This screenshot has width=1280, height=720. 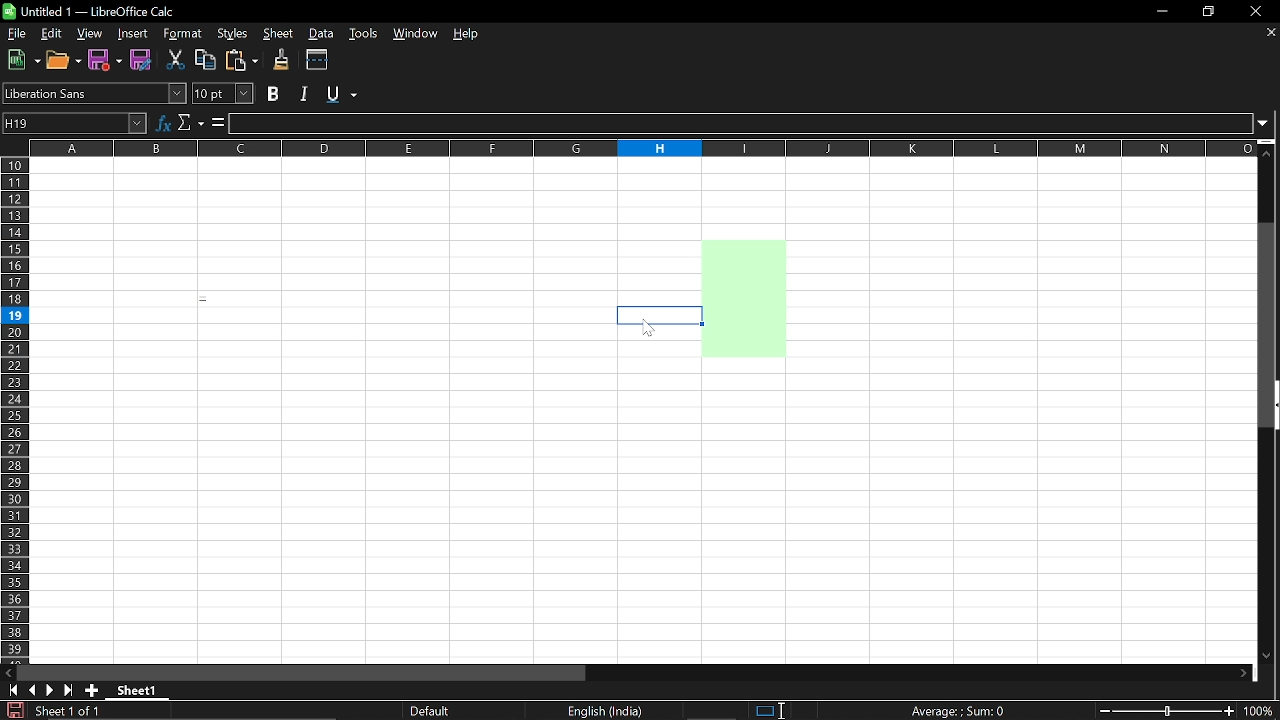 I want to click on Bold, so click(x=274, y=93).